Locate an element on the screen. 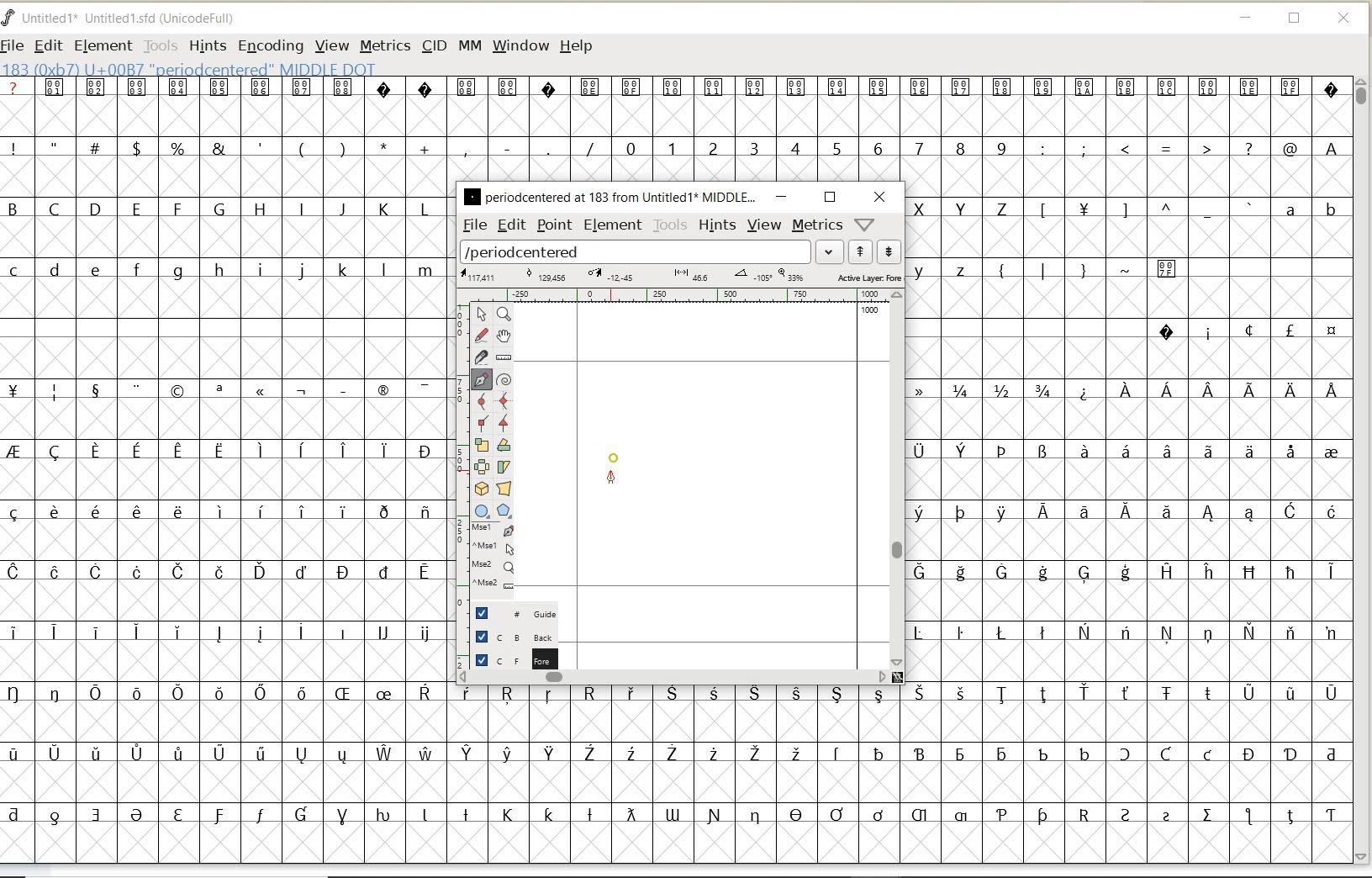 The image size is (1372, 878). FontForge Logo is located at coordinates (9, 16).